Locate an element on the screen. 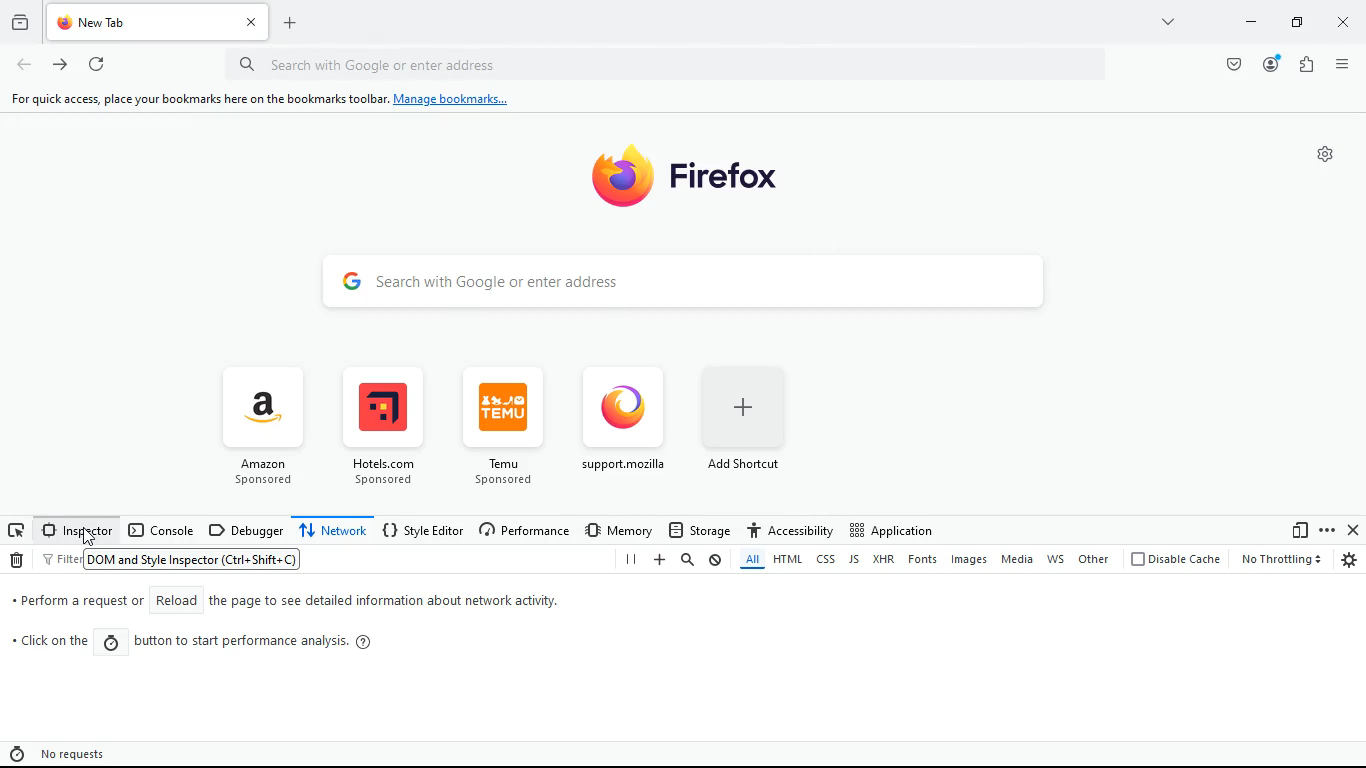  add tab is located at coordinates (287, 23).